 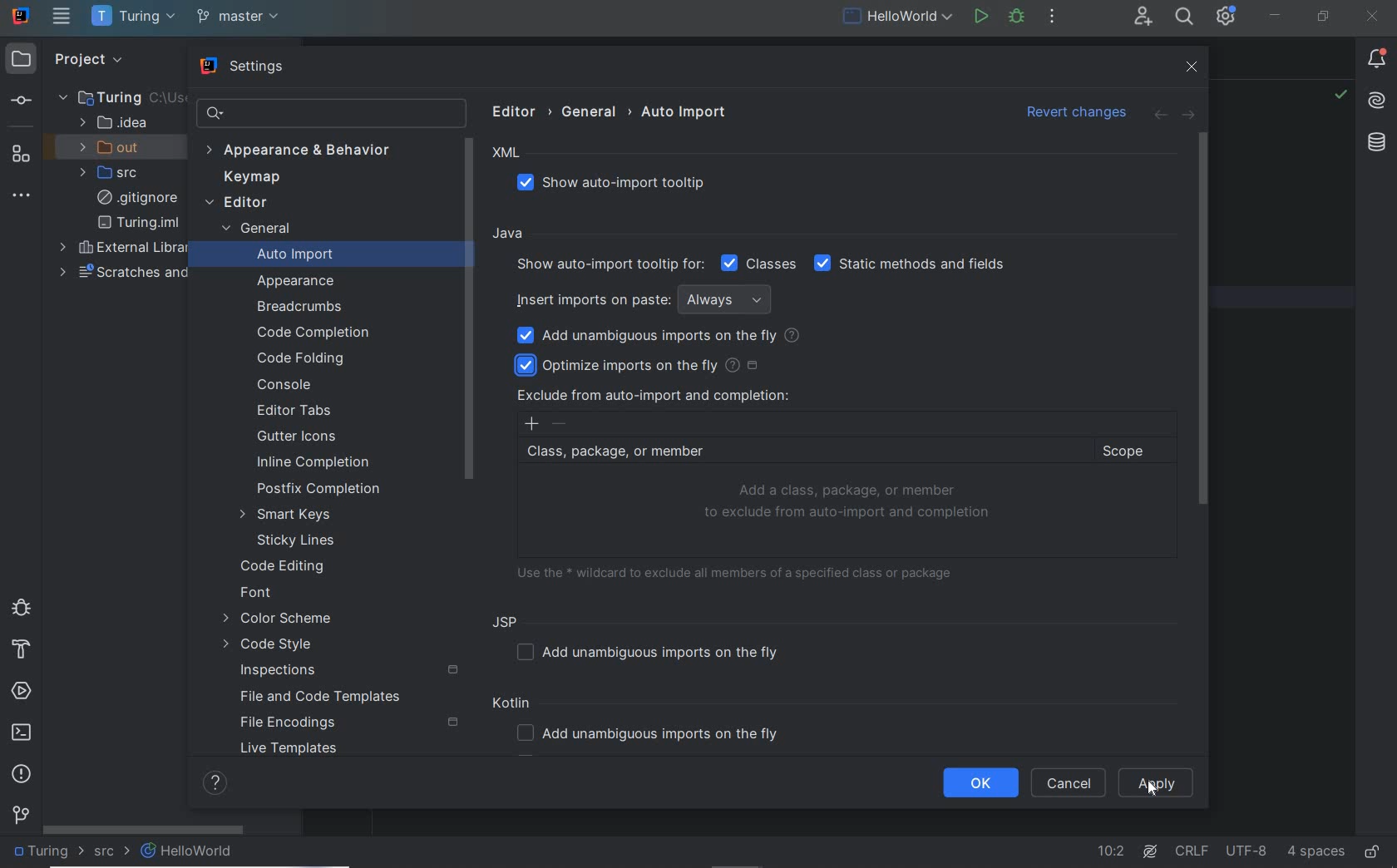 What do you see at coordinates (1377, 60) in the screenshot?
I see `NOTIFICATIONS` at bounding box center [1377, 60].